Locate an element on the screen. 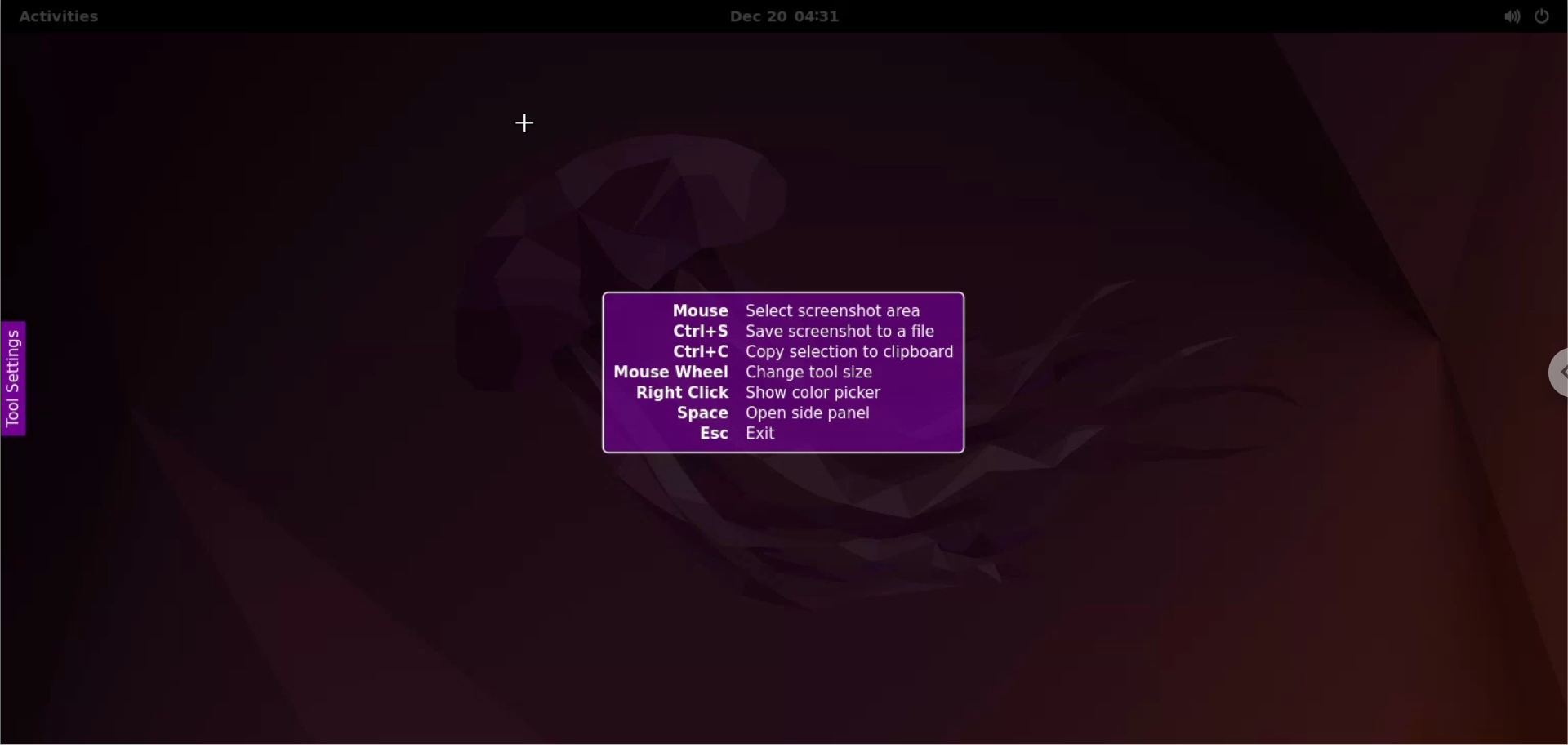  sound setting options is located at coordinates (1506, 16).